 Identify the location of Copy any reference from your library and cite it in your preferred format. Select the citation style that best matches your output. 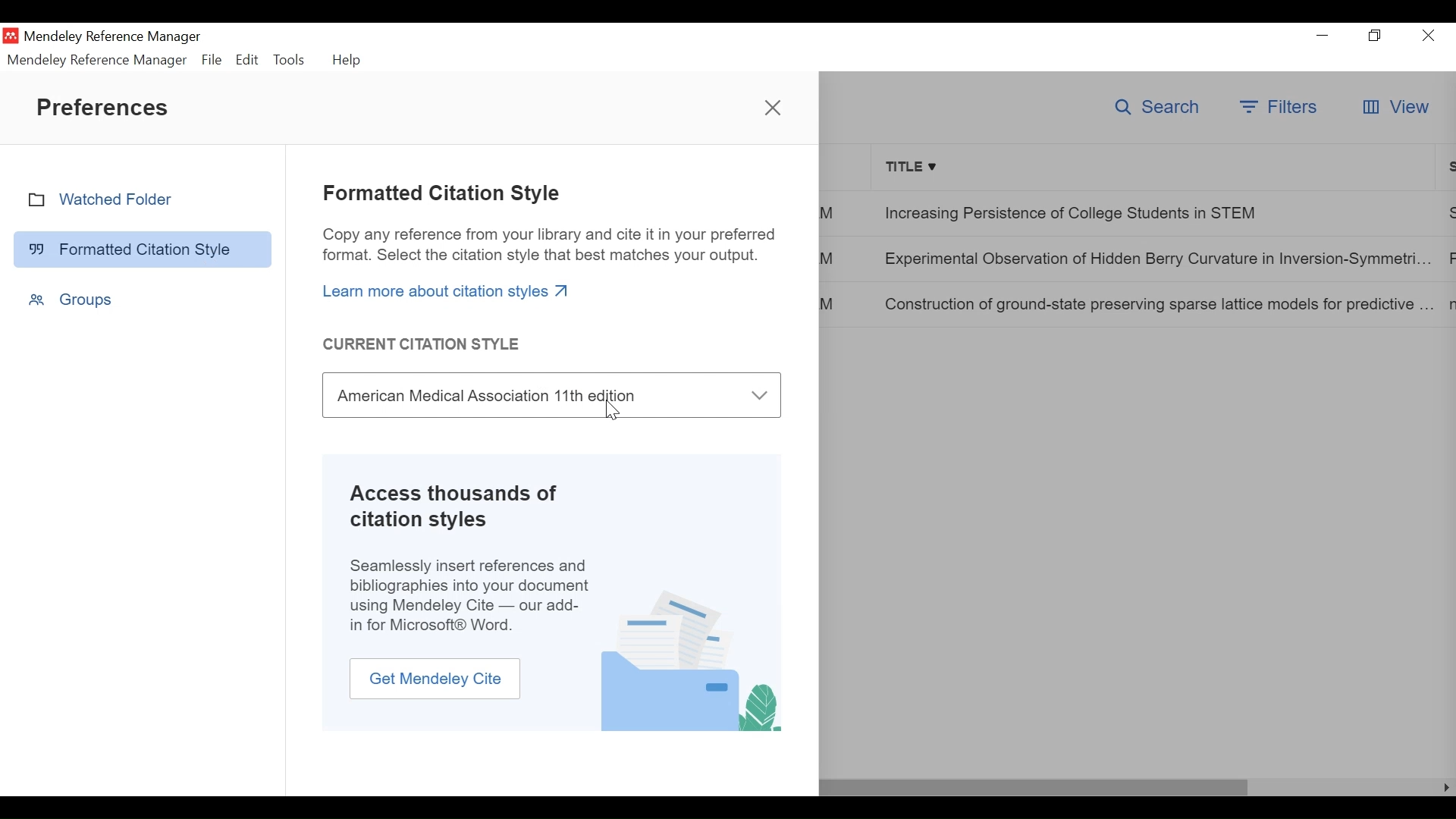
(549, 246).